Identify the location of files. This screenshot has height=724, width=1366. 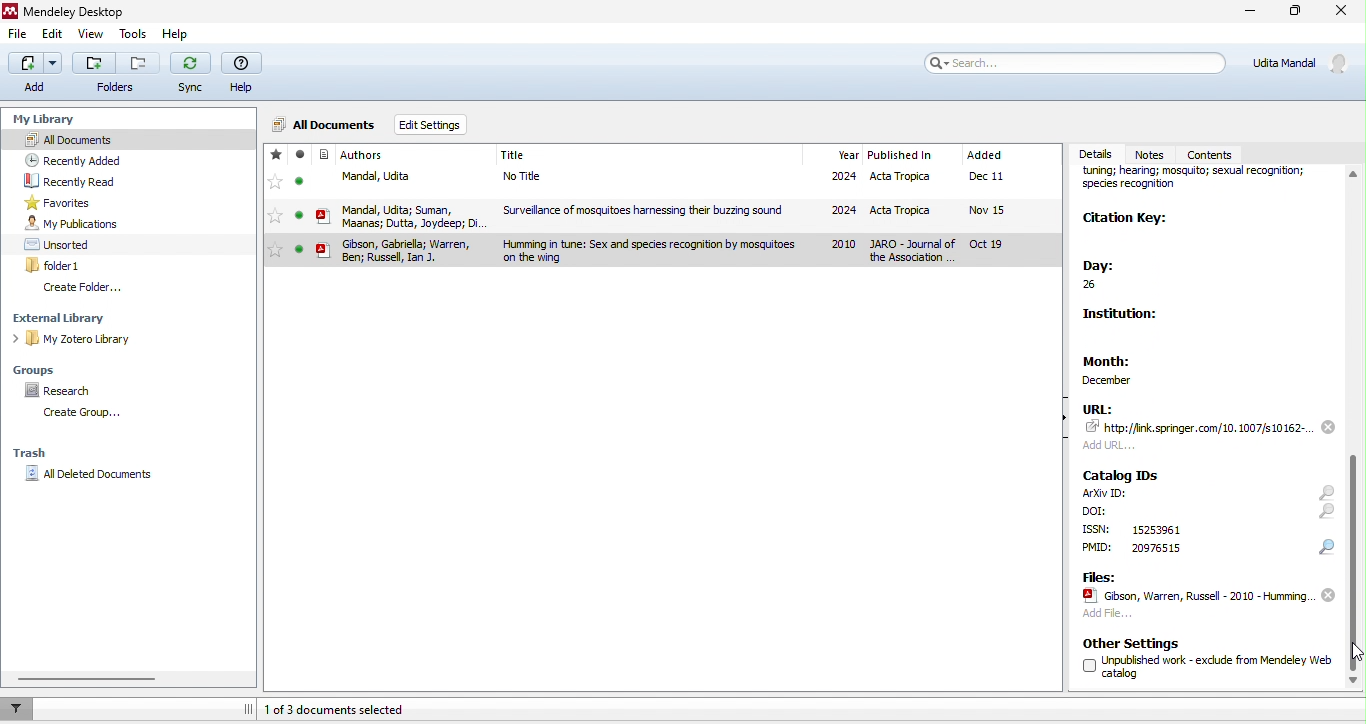
(1098, 576).